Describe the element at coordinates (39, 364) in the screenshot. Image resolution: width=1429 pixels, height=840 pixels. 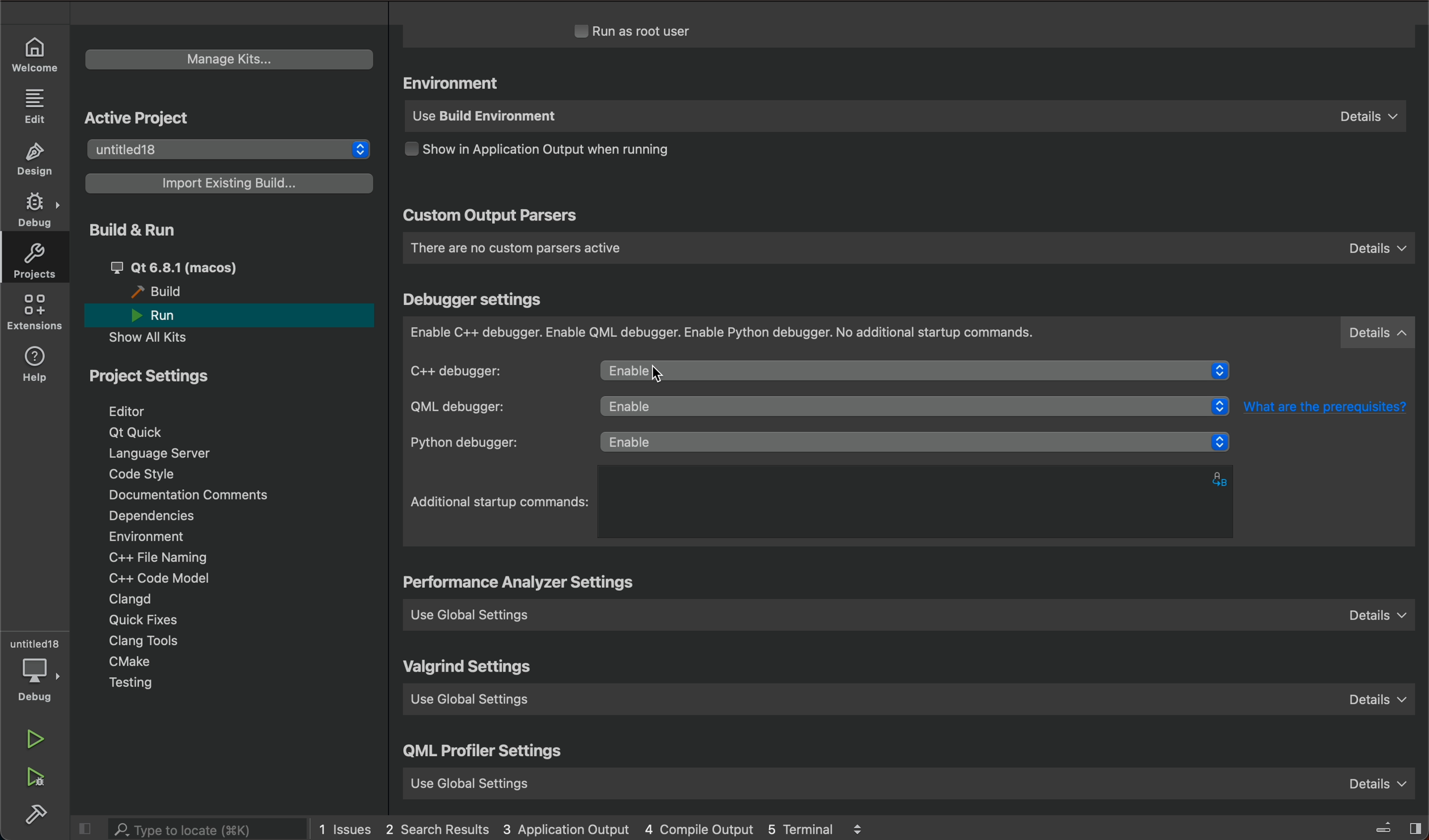
I see `help` at that location.